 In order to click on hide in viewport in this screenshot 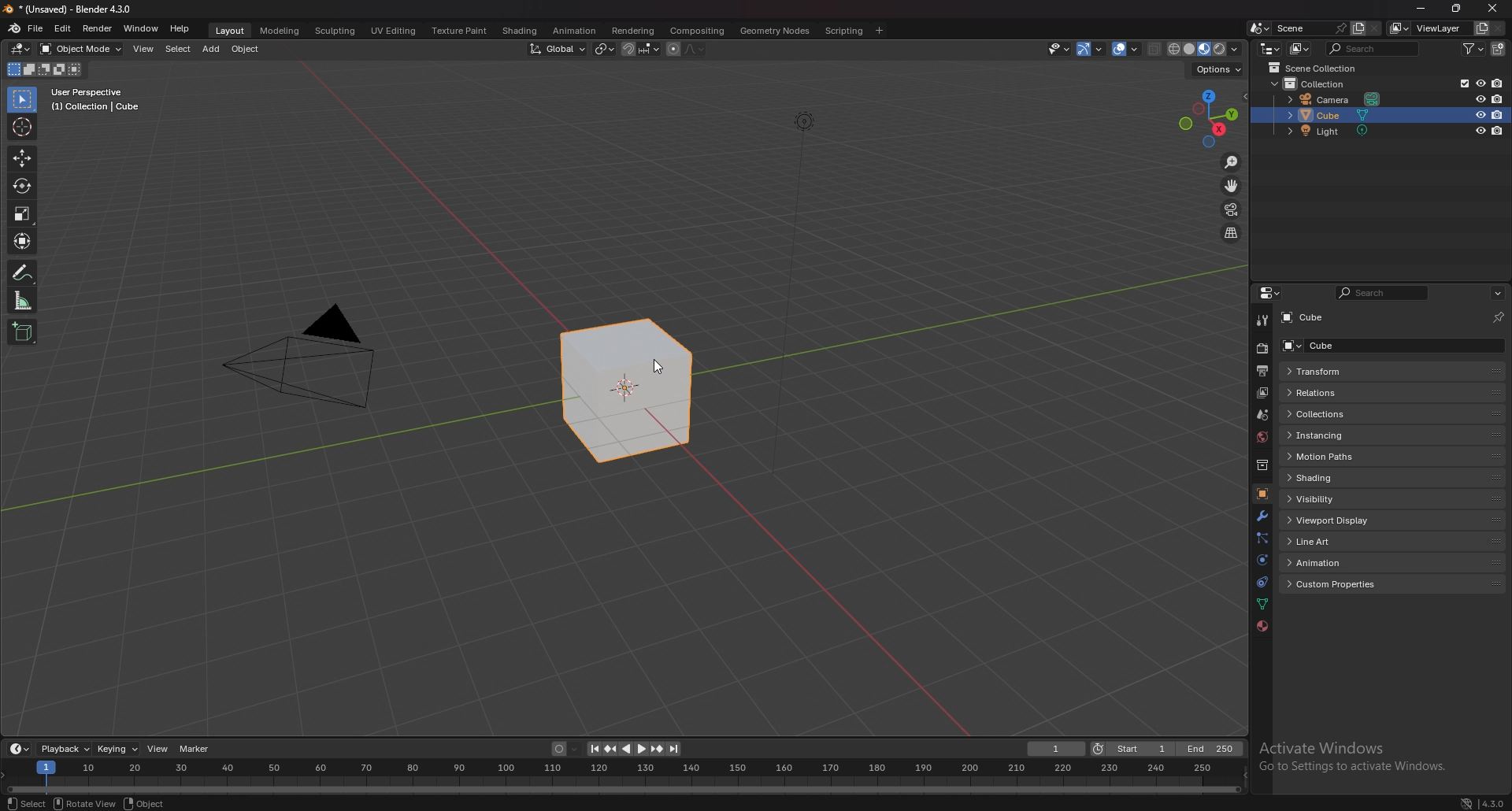, I will do `click(1480, 114)`.